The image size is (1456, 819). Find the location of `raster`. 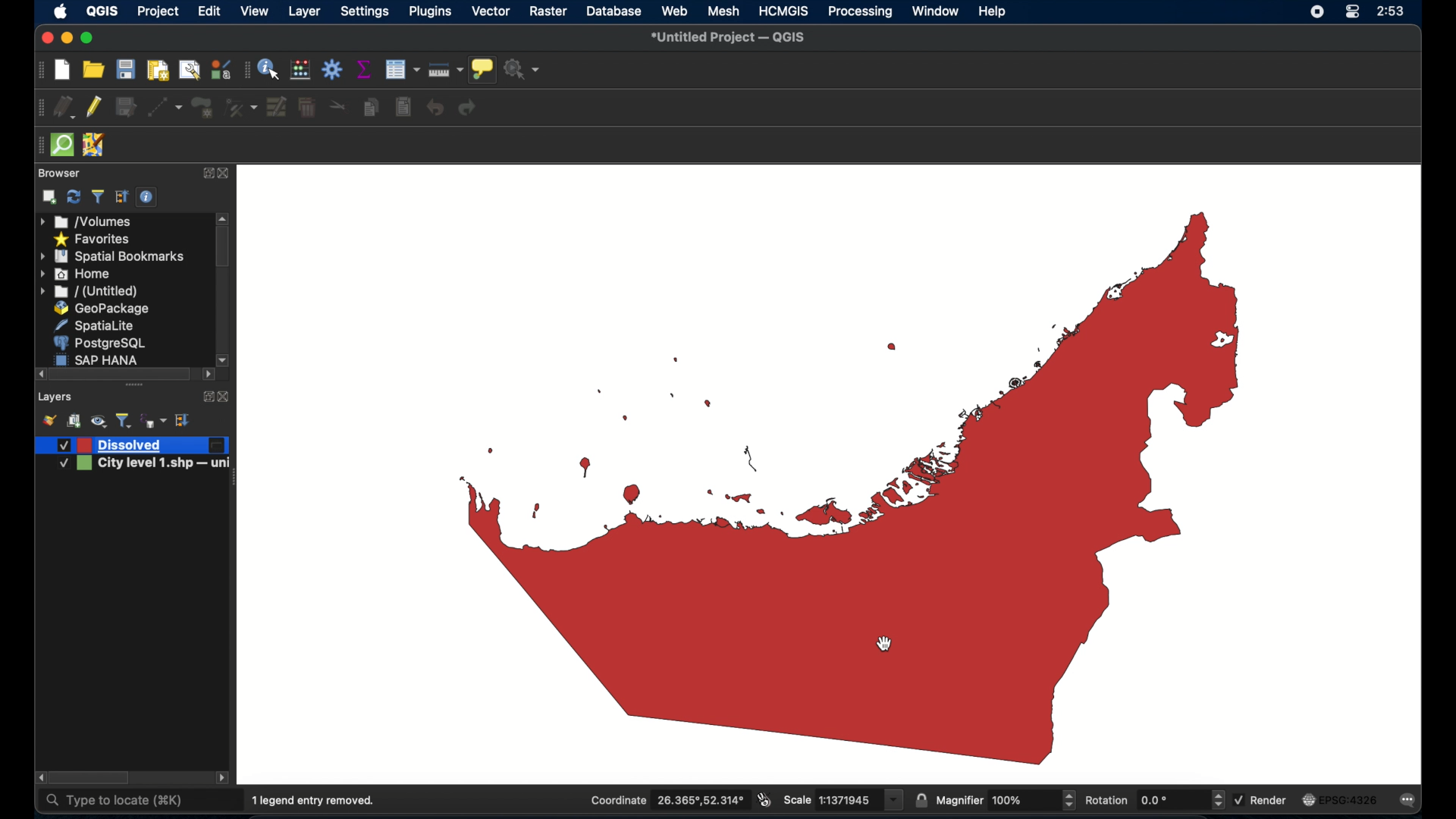

raster is located at coordinates (548, 11).